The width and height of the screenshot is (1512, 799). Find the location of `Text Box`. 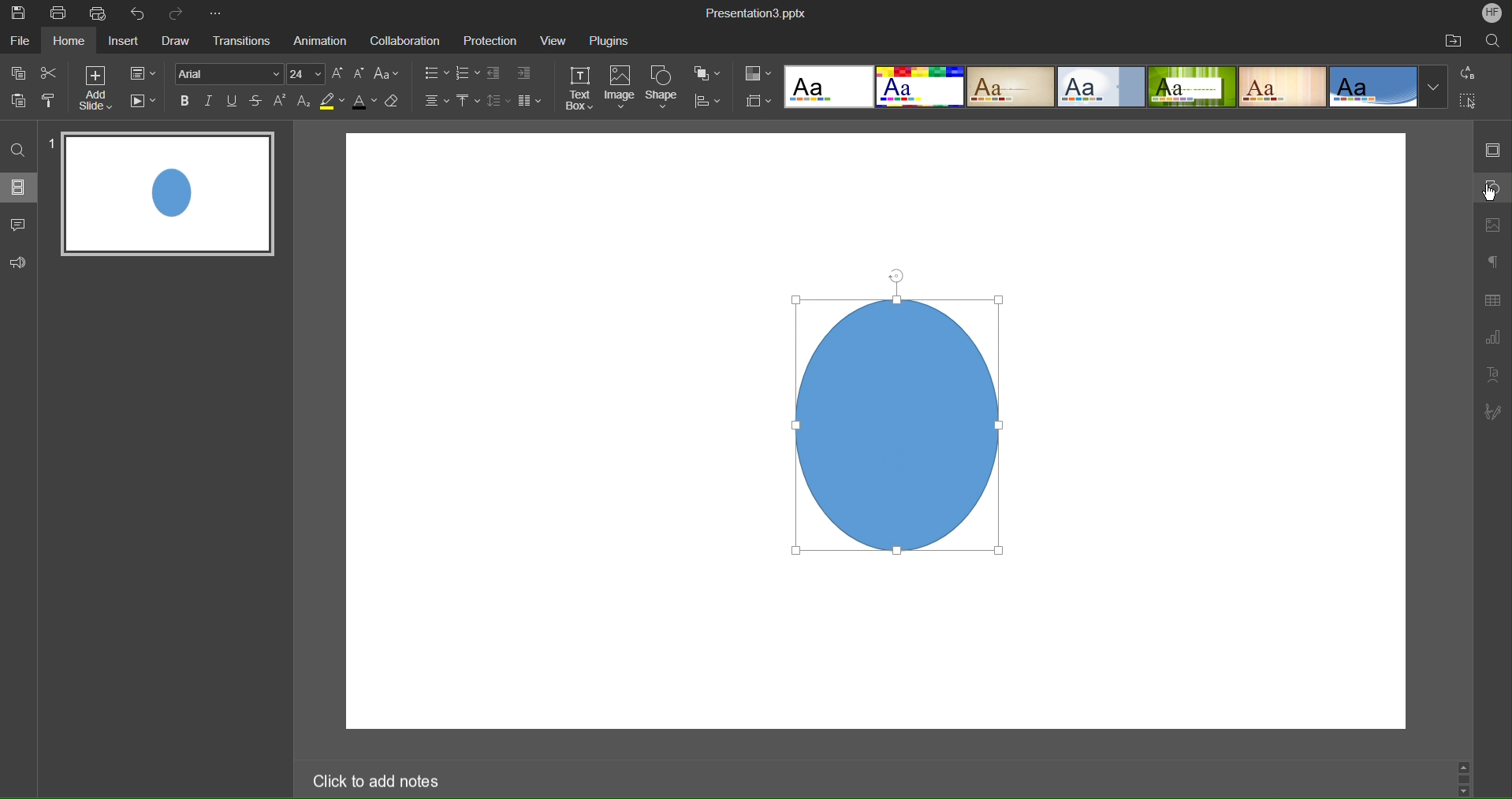

Text Box is located at coordinates (579, 87).